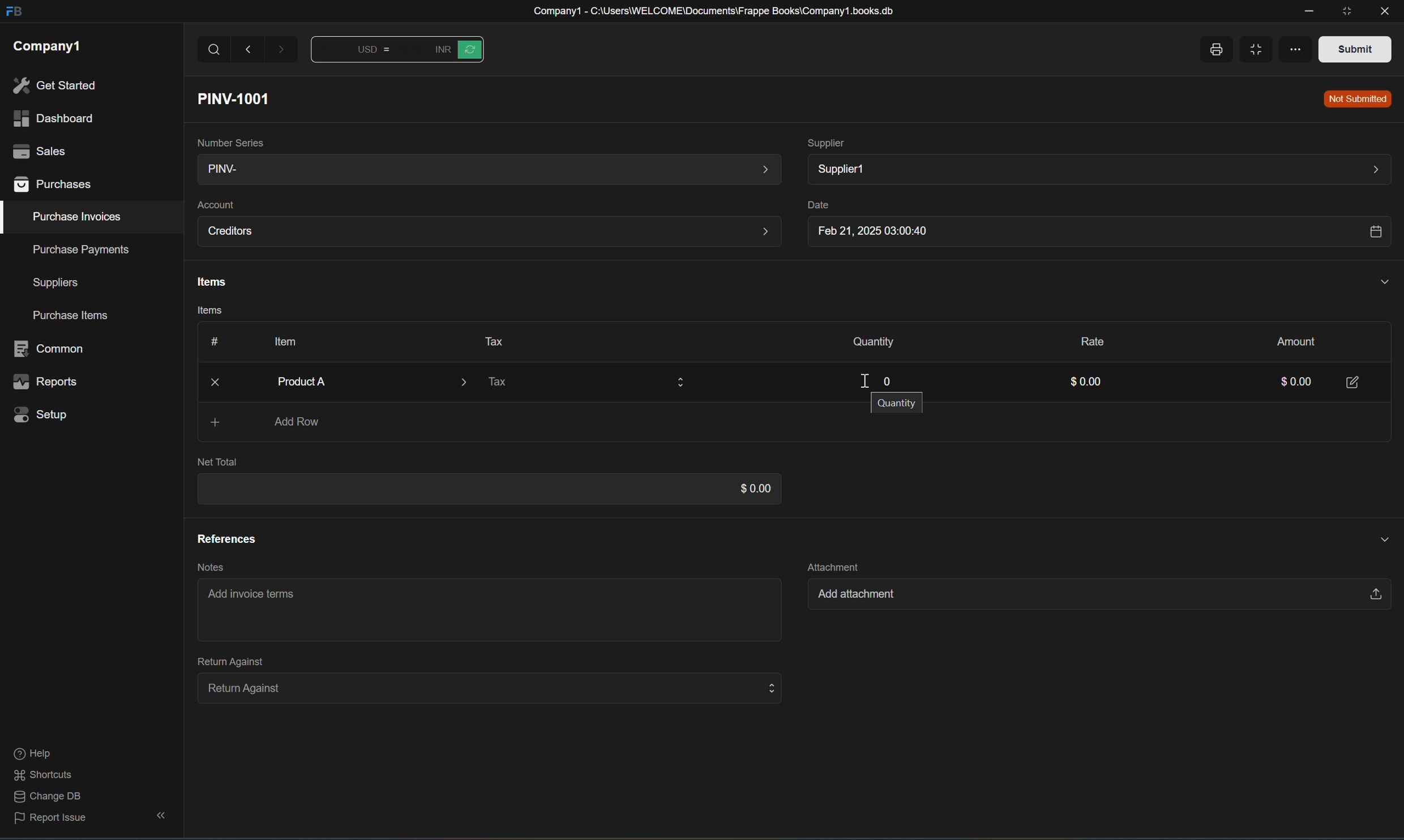  I want to click on More options, so click(1295, 49).